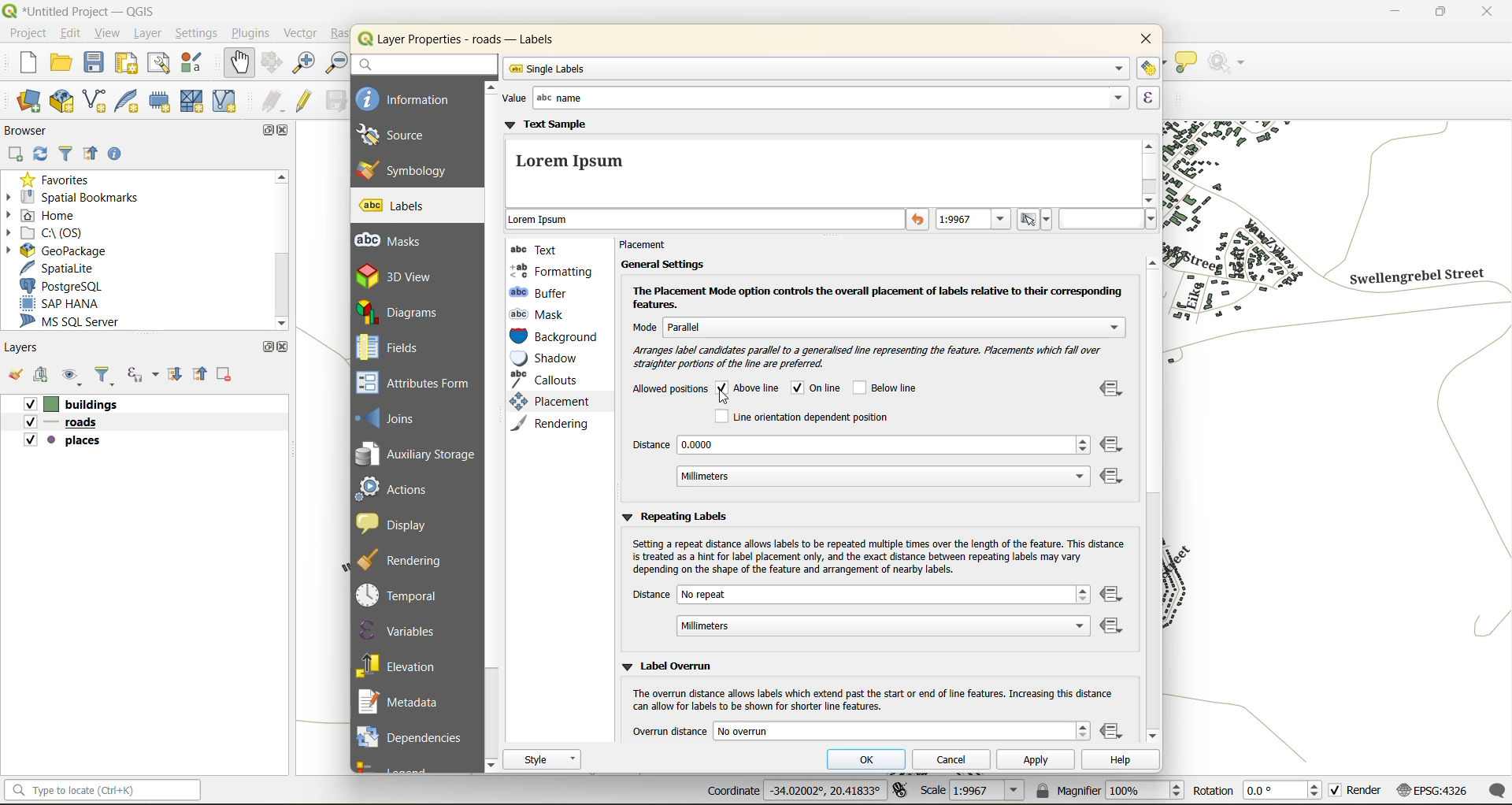 The width and height of the screenshot is (1512, 805). What do you see at coordinates (146, 35) in the screenshot?
I see `layer` at bounding box center [146, 35].